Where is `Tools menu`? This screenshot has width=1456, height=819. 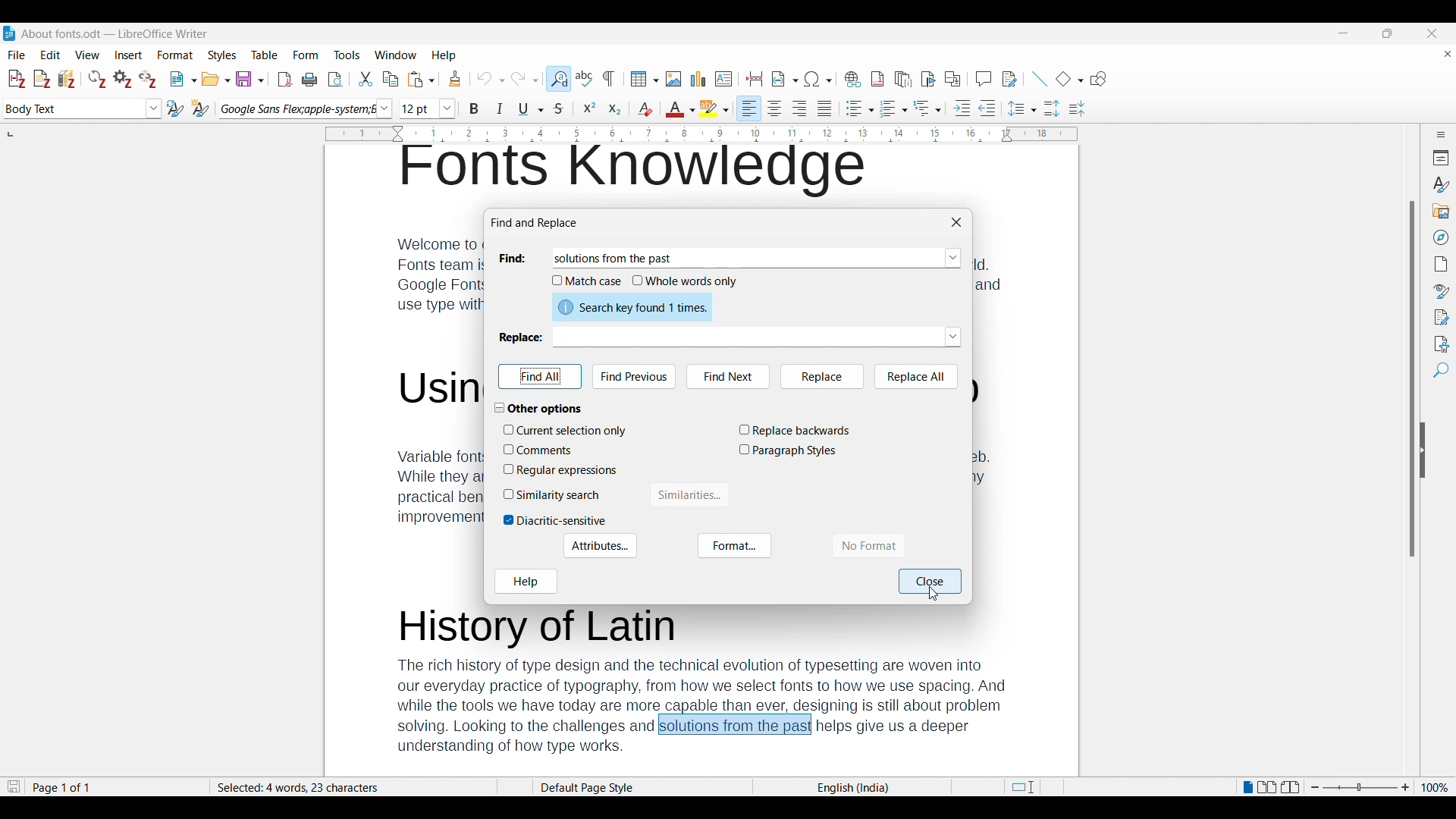 Tools menu is located at coordinates (347, 55).